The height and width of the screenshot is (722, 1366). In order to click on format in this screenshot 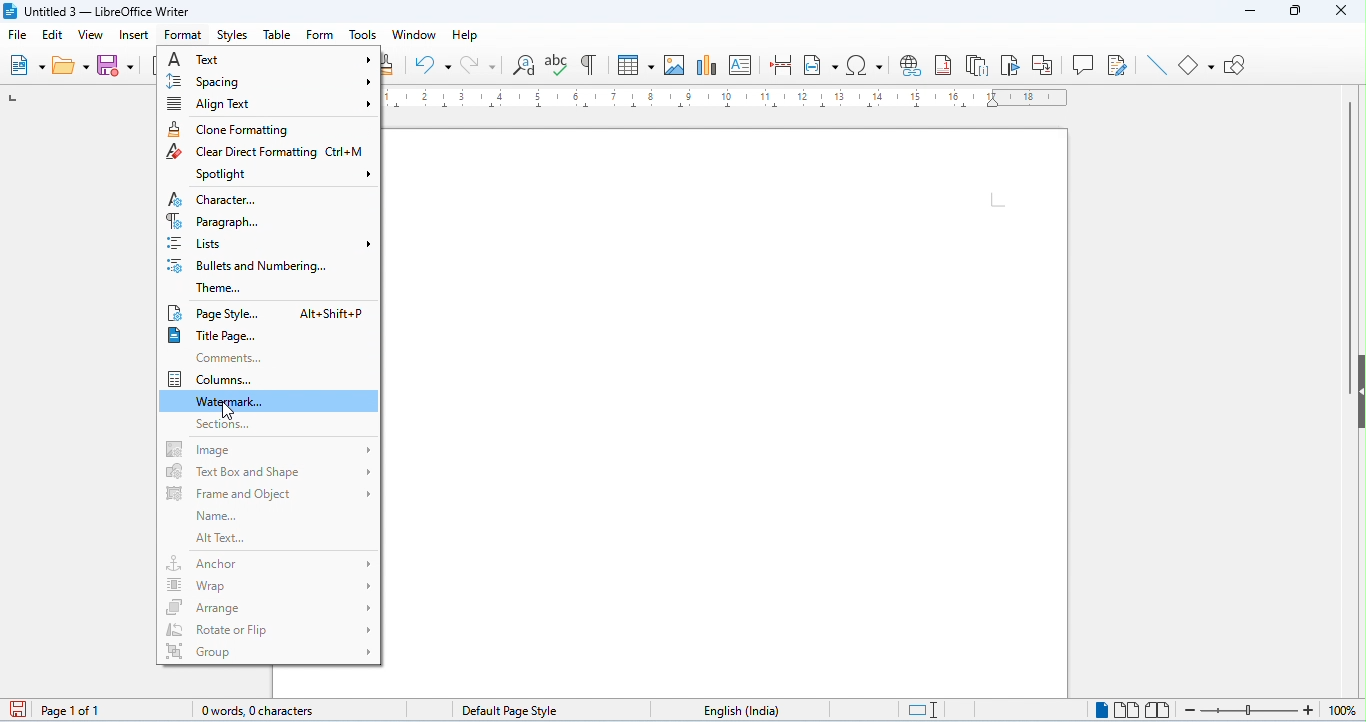, I will do `click(181, 36)`.